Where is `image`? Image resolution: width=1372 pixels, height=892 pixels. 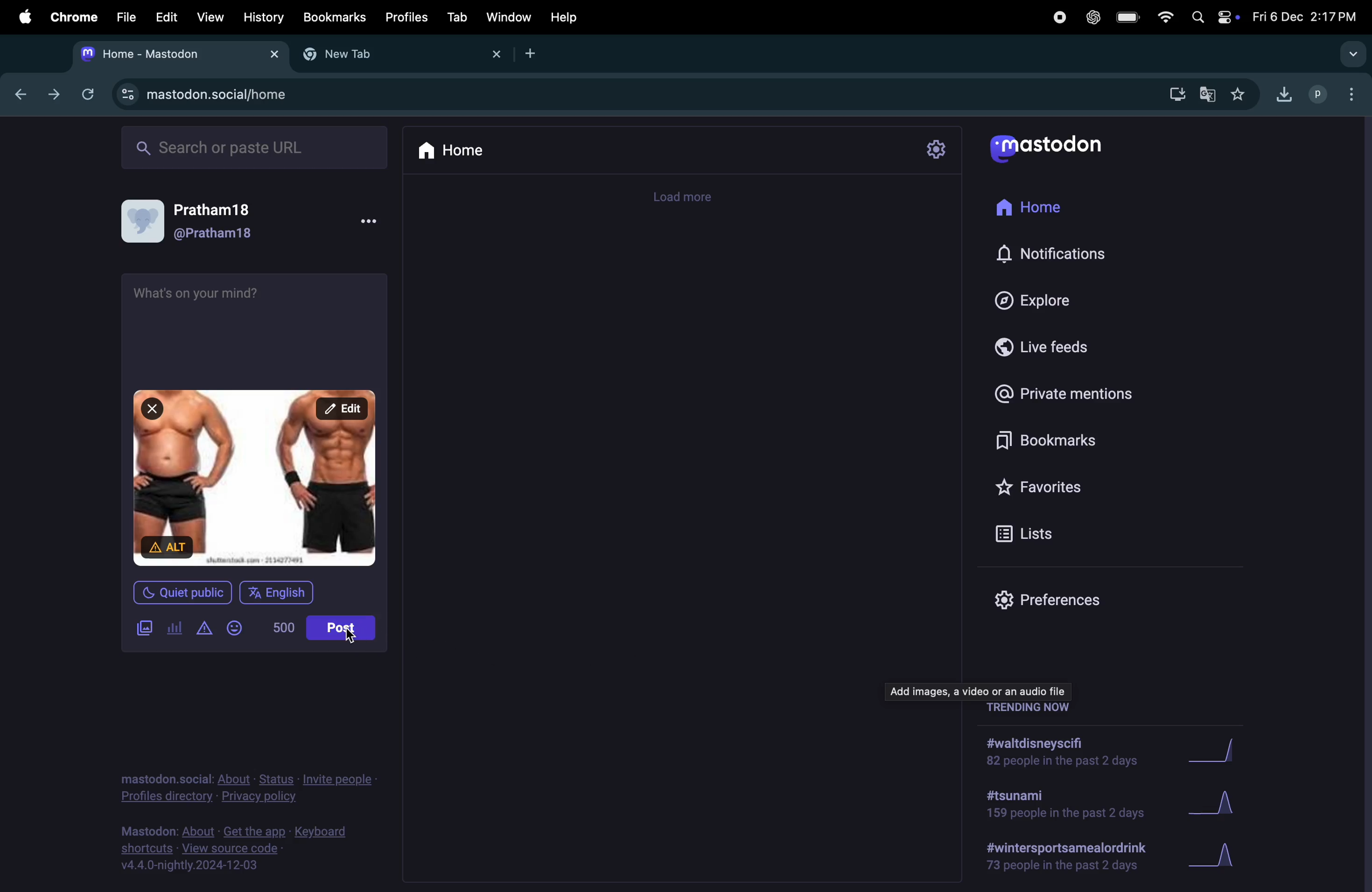
image is located at coordinates (258, 478).